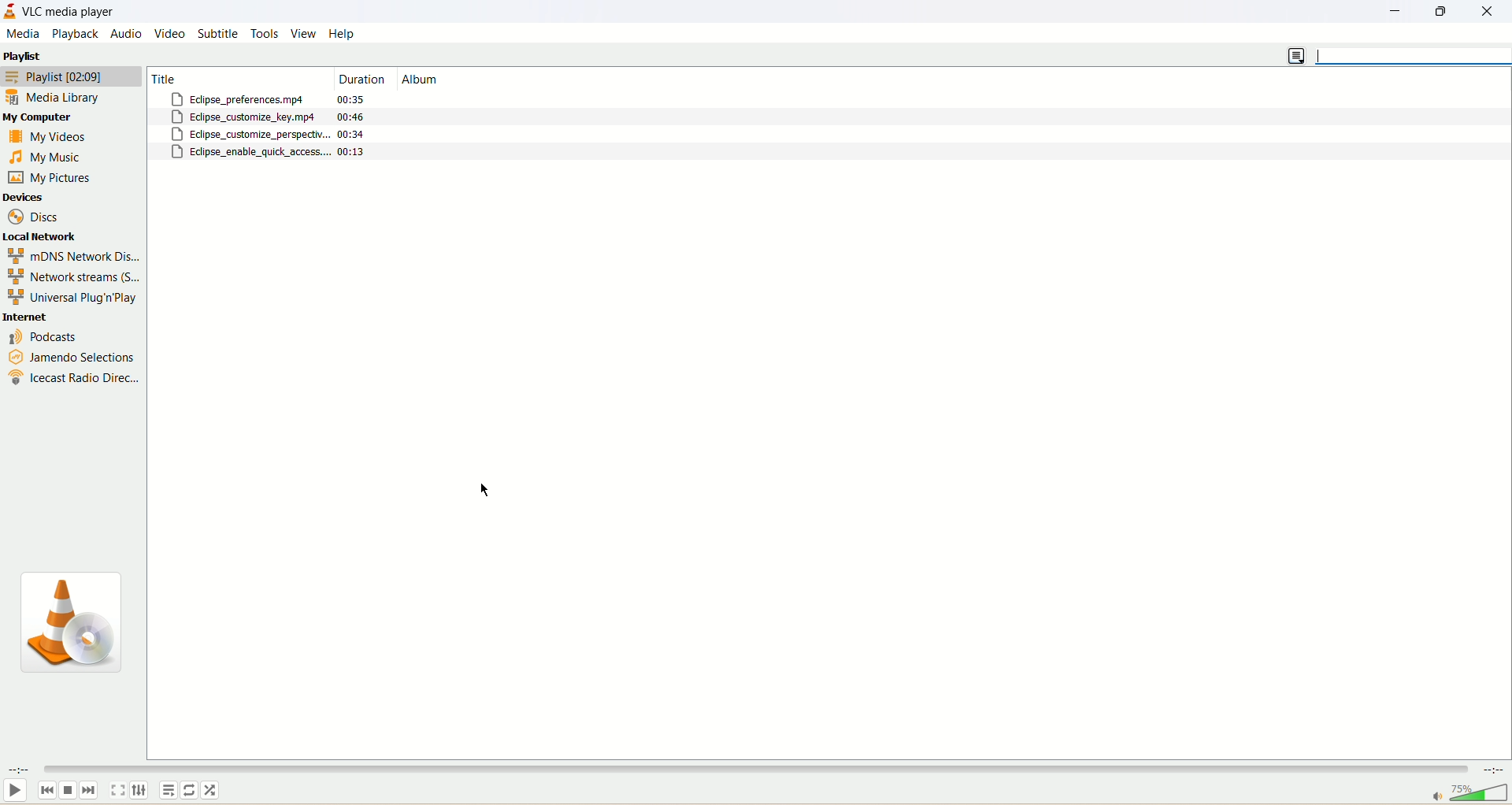 The height and width of the screenshot is (805, 1512). Describe the element at coordinates (18, 791) in the screenshot. I see `play` at that location.